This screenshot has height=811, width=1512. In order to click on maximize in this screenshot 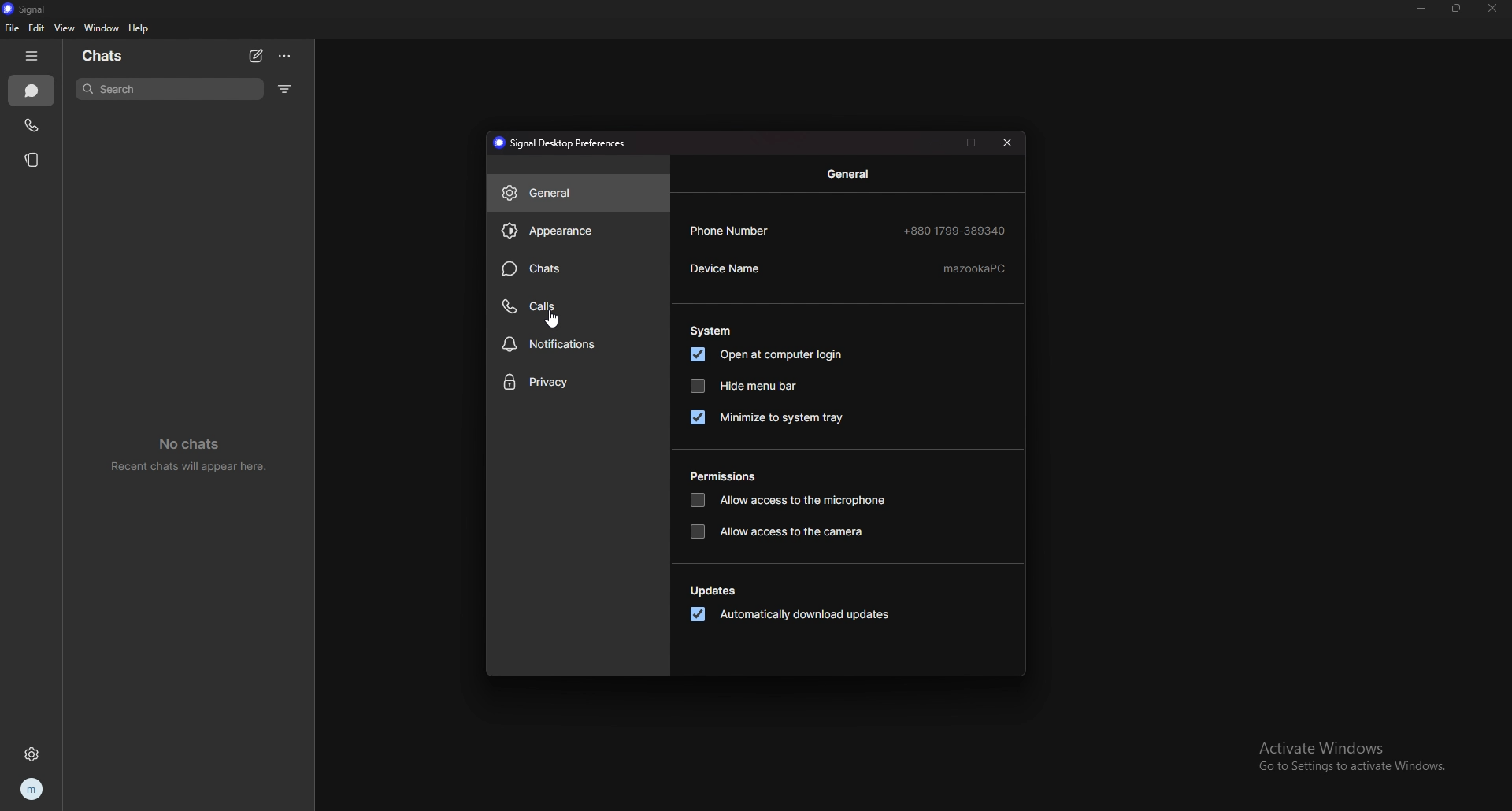, I will do `click(972, 142)`.